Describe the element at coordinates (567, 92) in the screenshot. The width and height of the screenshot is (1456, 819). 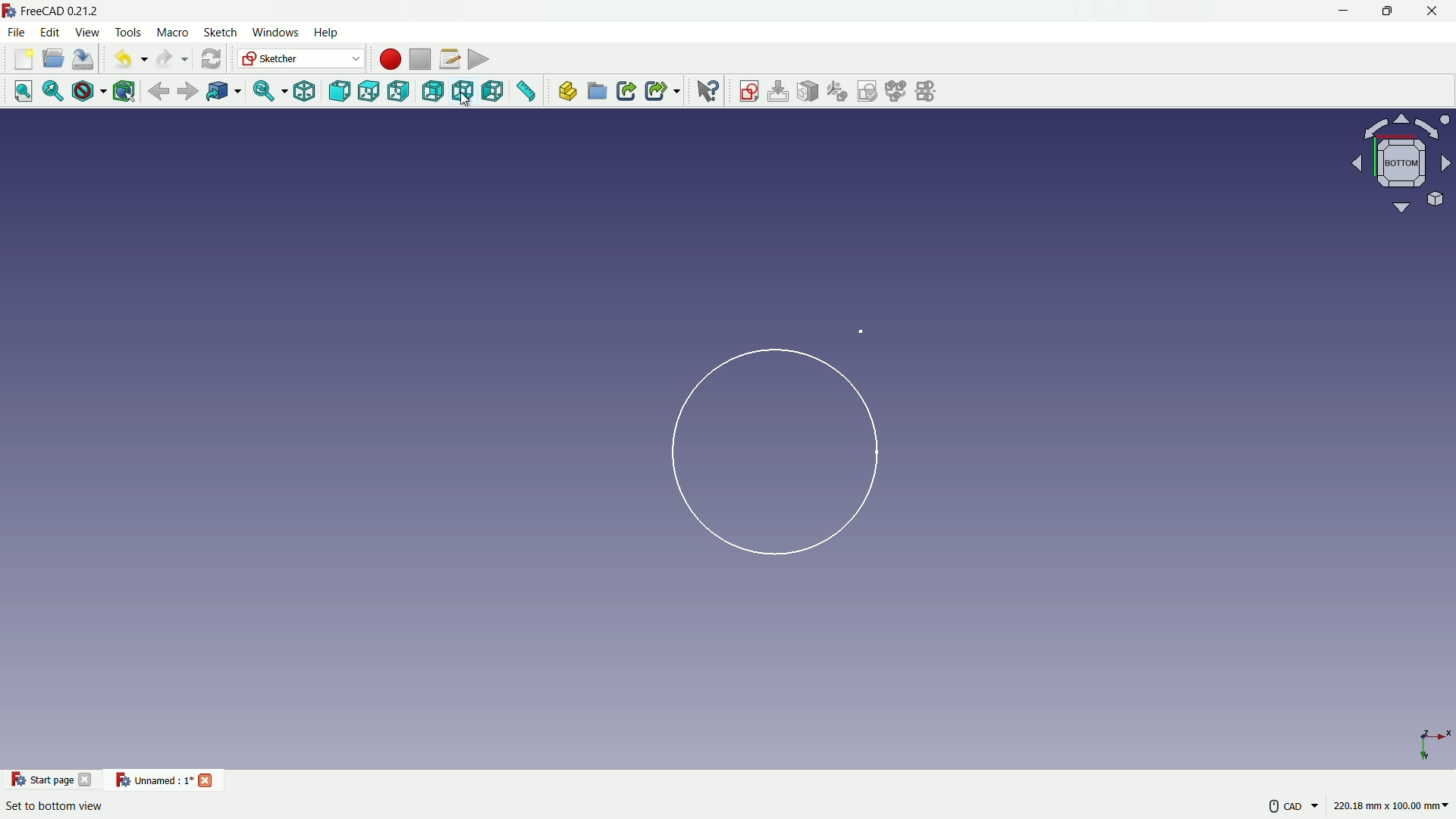
I see `create part` at that location.